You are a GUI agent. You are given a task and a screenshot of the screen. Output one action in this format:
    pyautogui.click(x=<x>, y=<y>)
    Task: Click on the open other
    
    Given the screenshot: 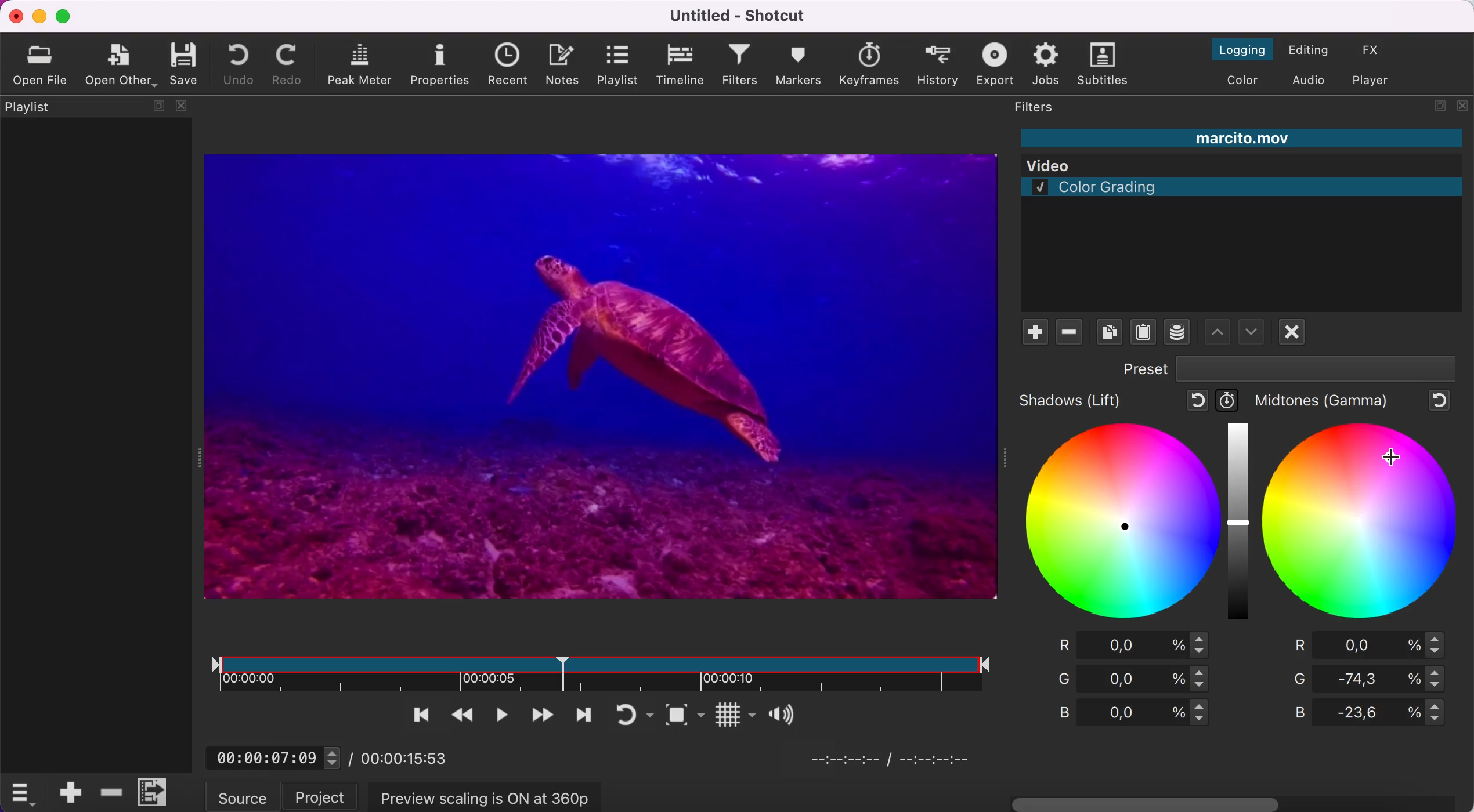 What is the action you would take?
    pyautogui.click(x=121, y=65)
    